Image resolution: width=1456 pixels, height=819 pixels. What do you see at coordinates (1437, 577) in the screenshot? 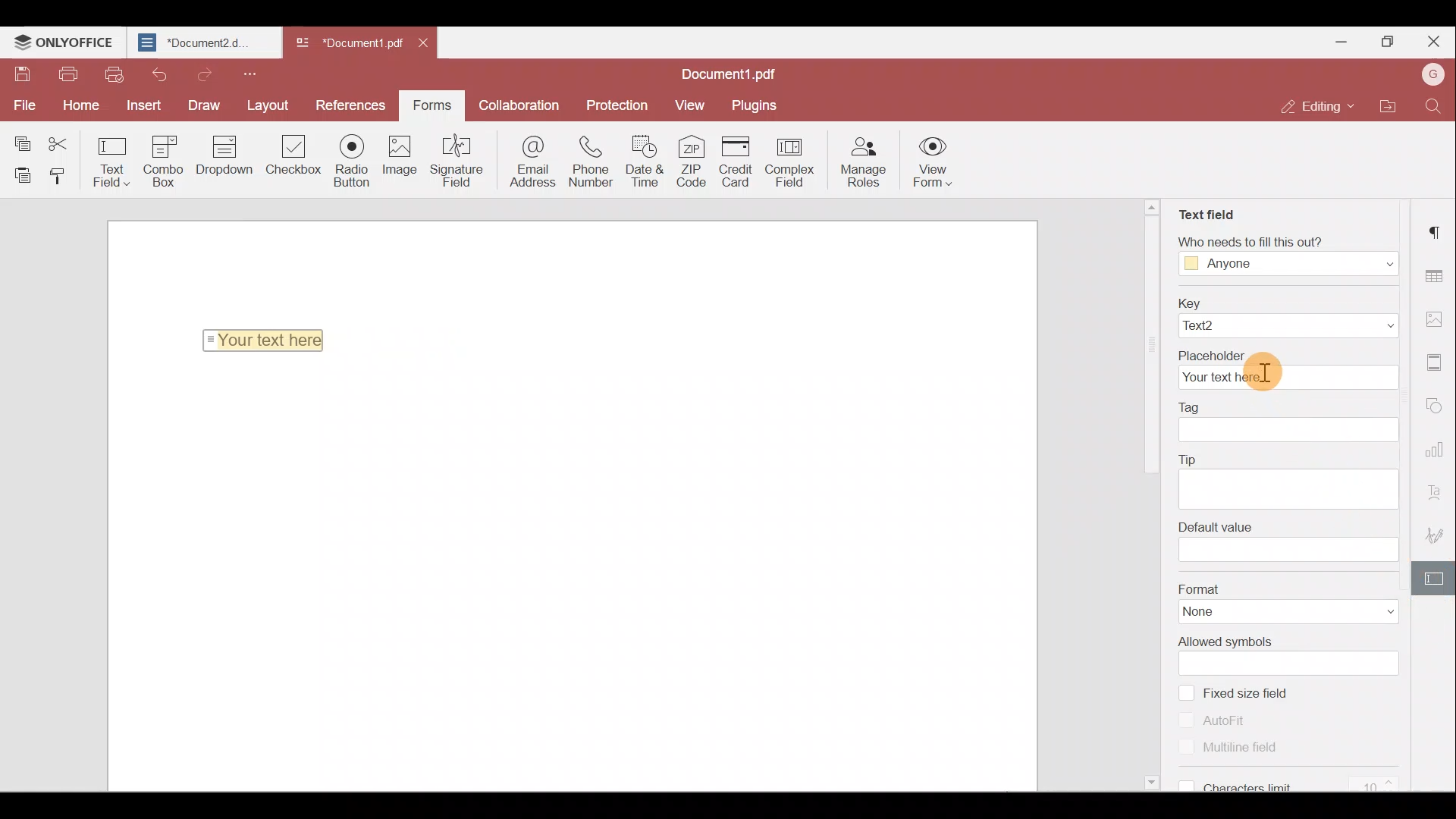
I see `Form settings` at bounding box center [1437, 577].